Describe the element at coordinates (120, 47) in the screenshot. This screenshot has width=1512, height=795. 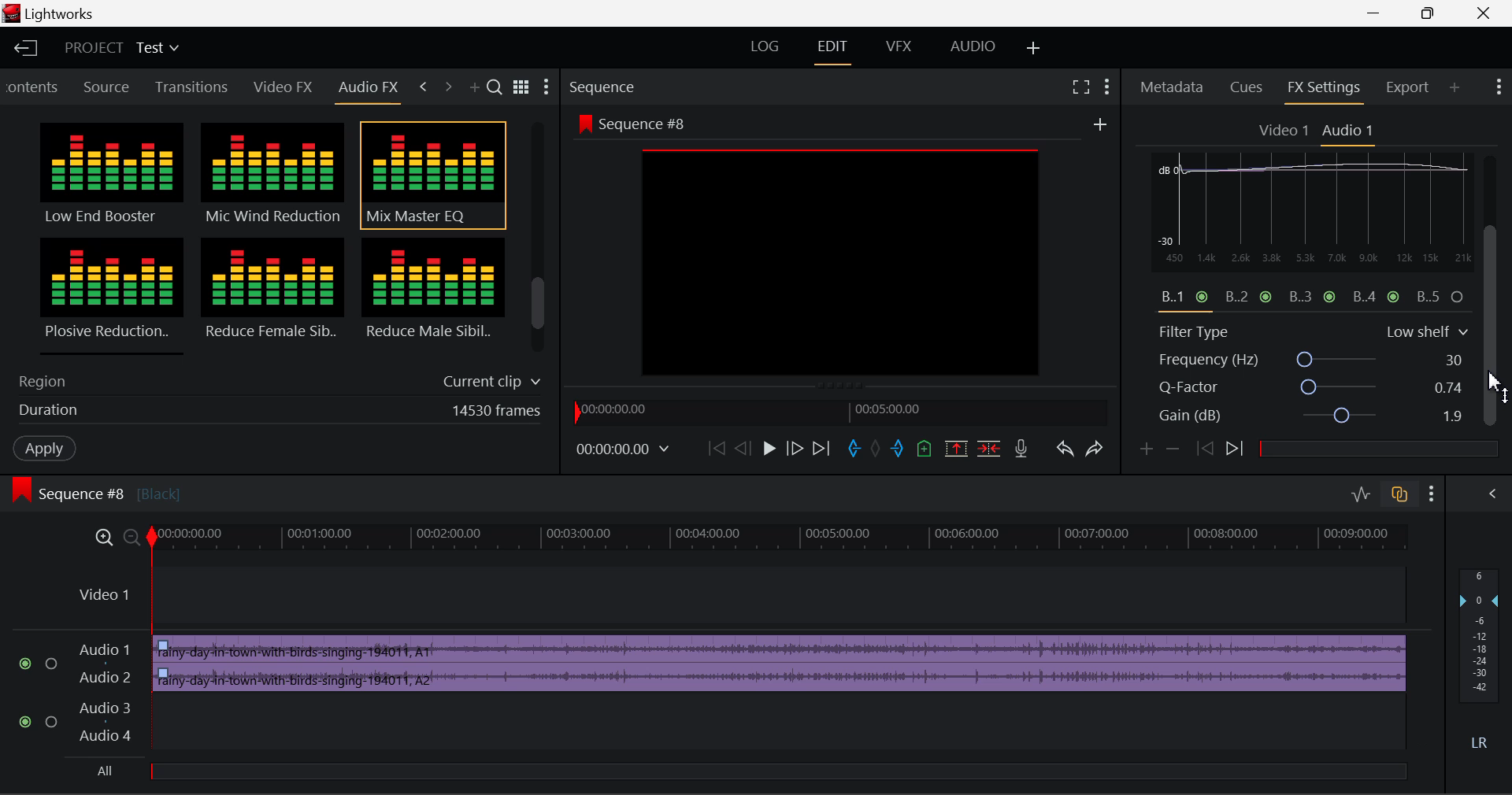
I see `Project Title` at that location.